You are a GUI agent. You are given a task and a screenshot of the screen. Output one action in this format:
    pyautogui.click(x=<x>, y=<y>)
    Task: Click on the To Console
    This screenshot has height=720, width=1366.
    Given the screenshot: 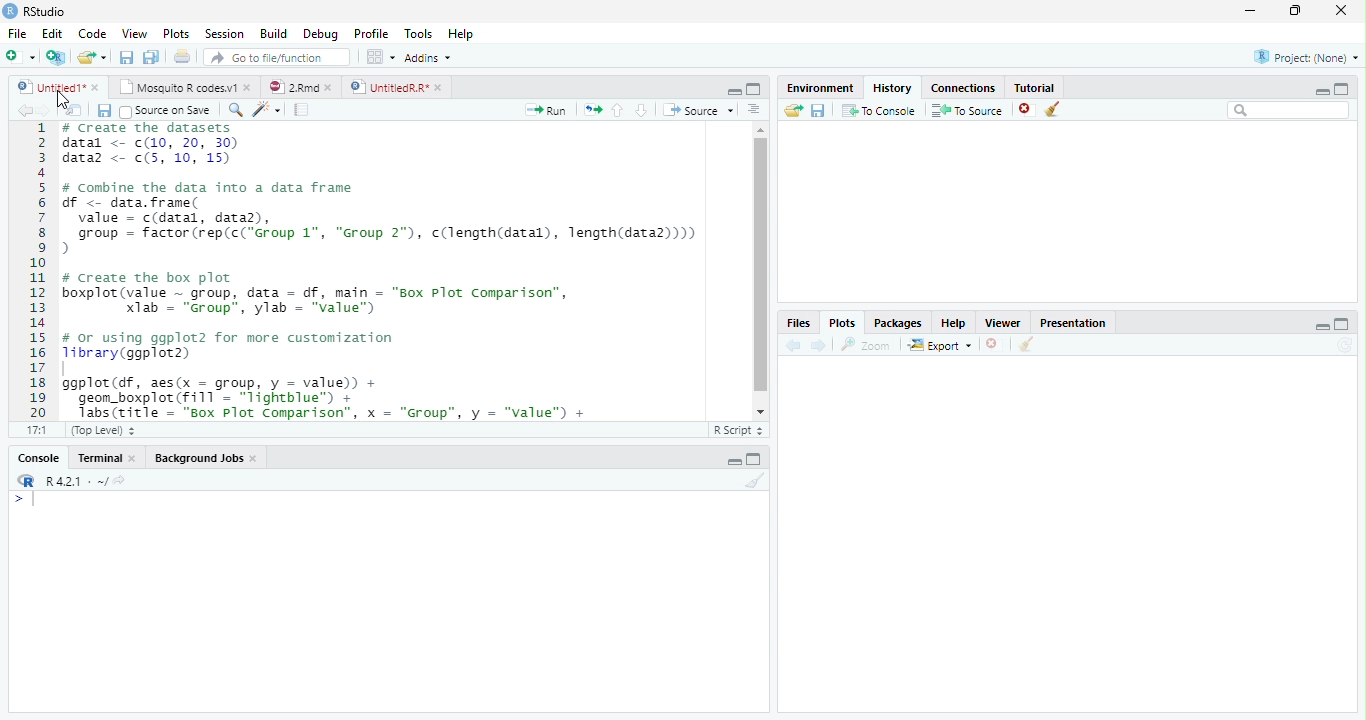 What is the action you would take?
    pyautogui.click(x=880, y=110)
    